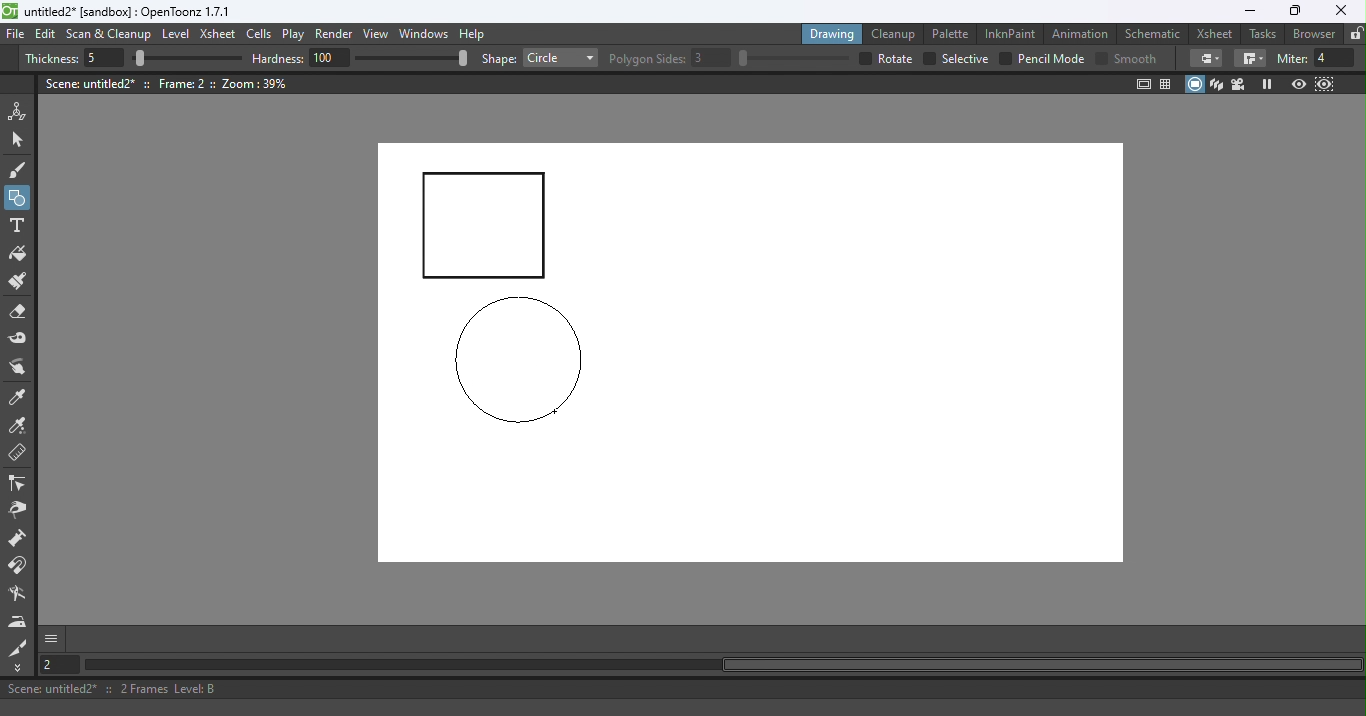 The width and height of the screenshot is (1366, 716). Describe the element at coordinates (499, 60) in the screenshot. I see `shape` at that location.